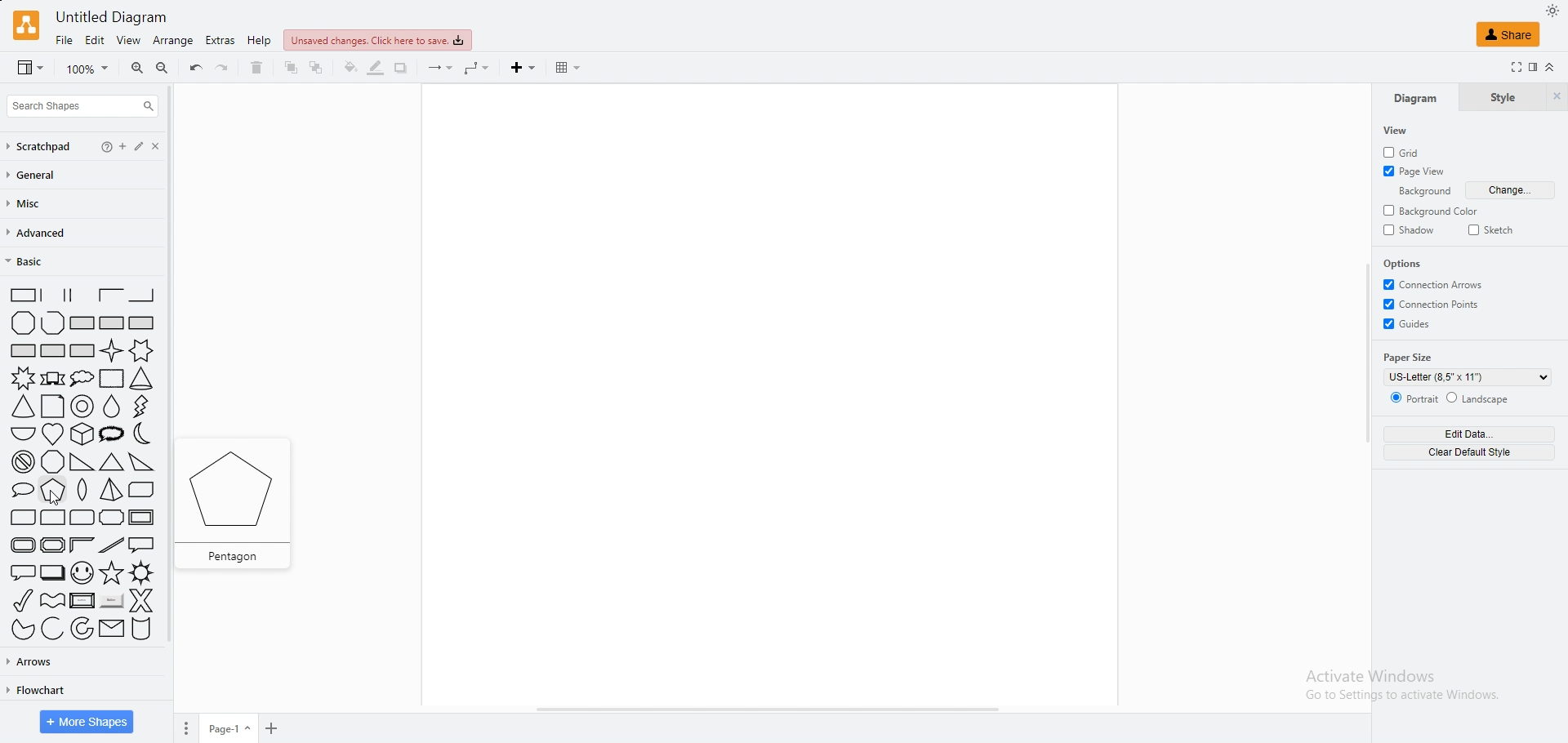 The width and height of the screenshot is (1568, 743). I want to click on connection arrows, so click(1434, 284).